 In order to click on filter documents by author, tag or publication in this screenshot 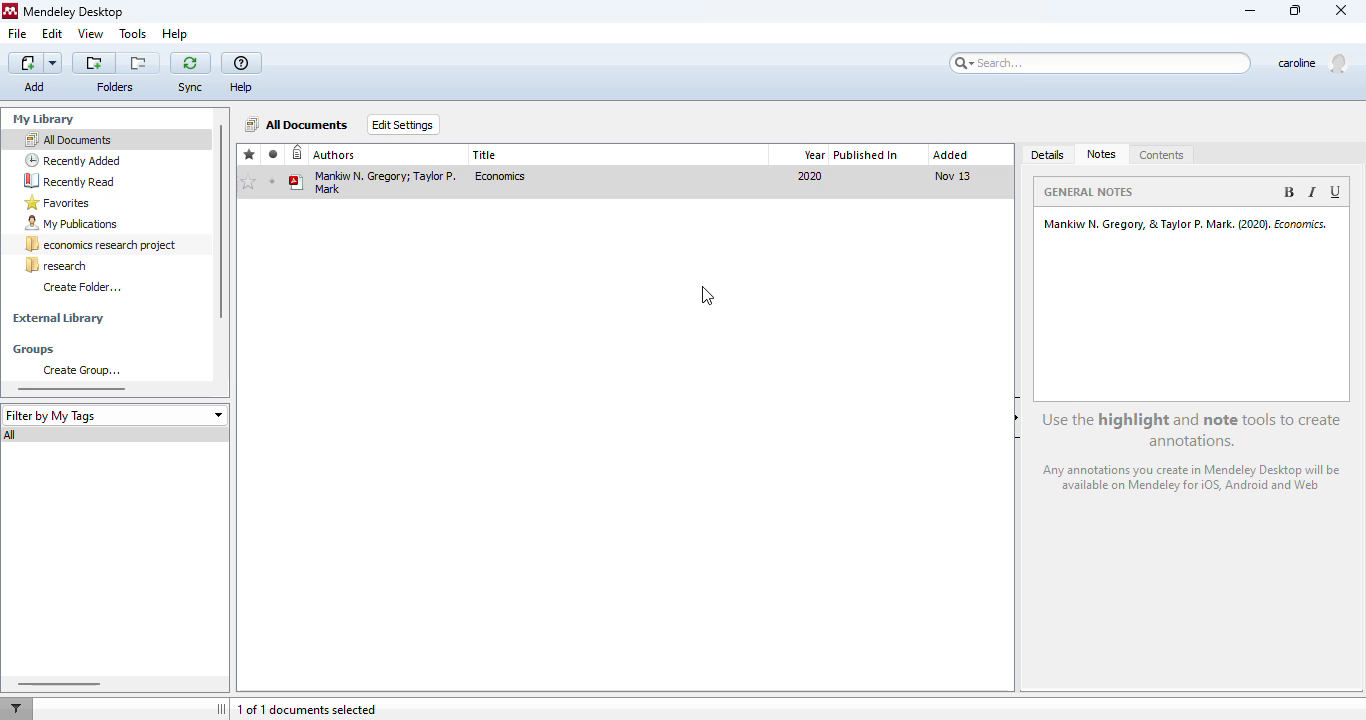, I will do `click(15, 709)`.